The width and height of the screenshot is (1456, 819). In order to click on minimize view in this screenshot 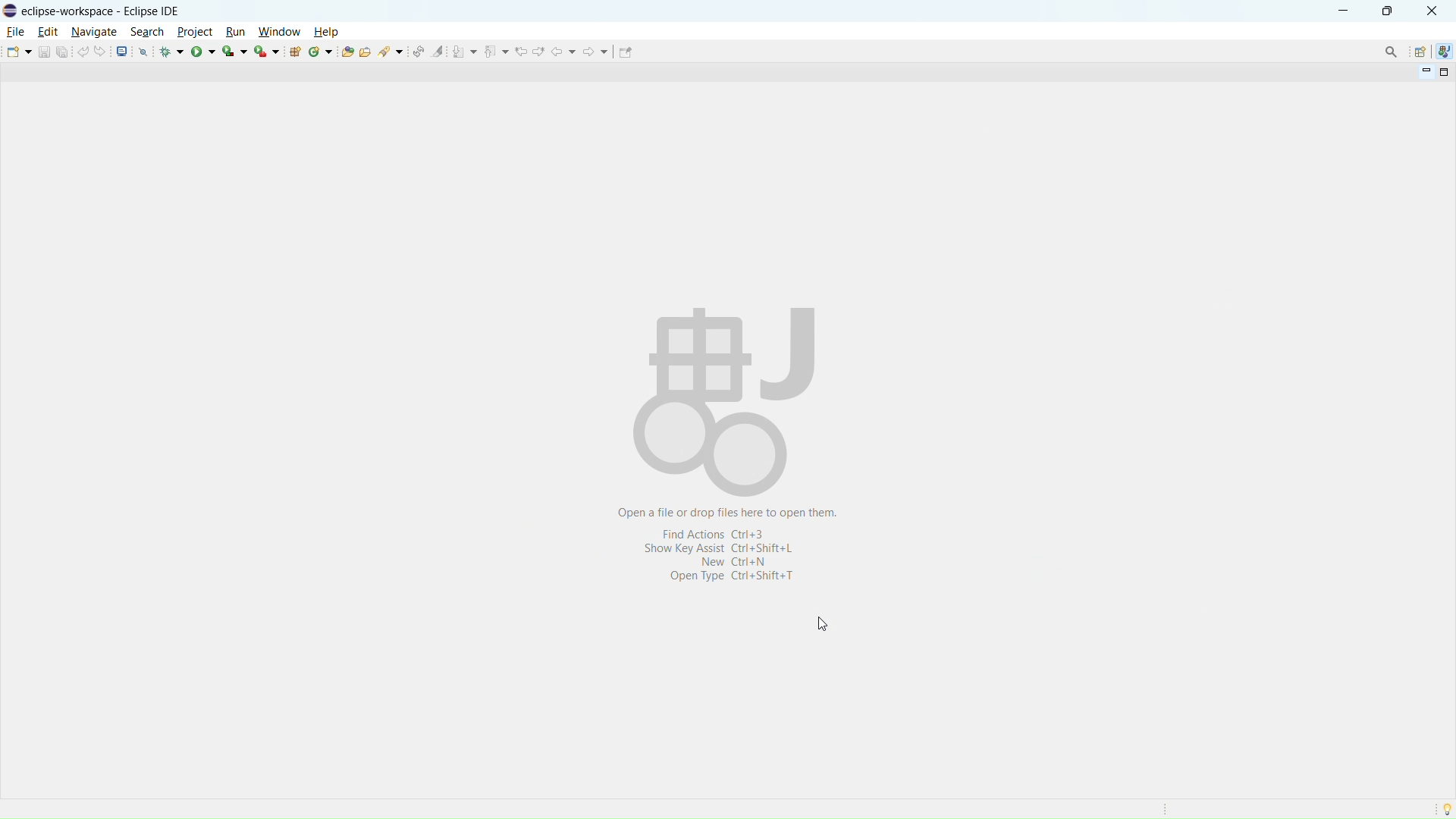, I will do `click(1424, 73)`.